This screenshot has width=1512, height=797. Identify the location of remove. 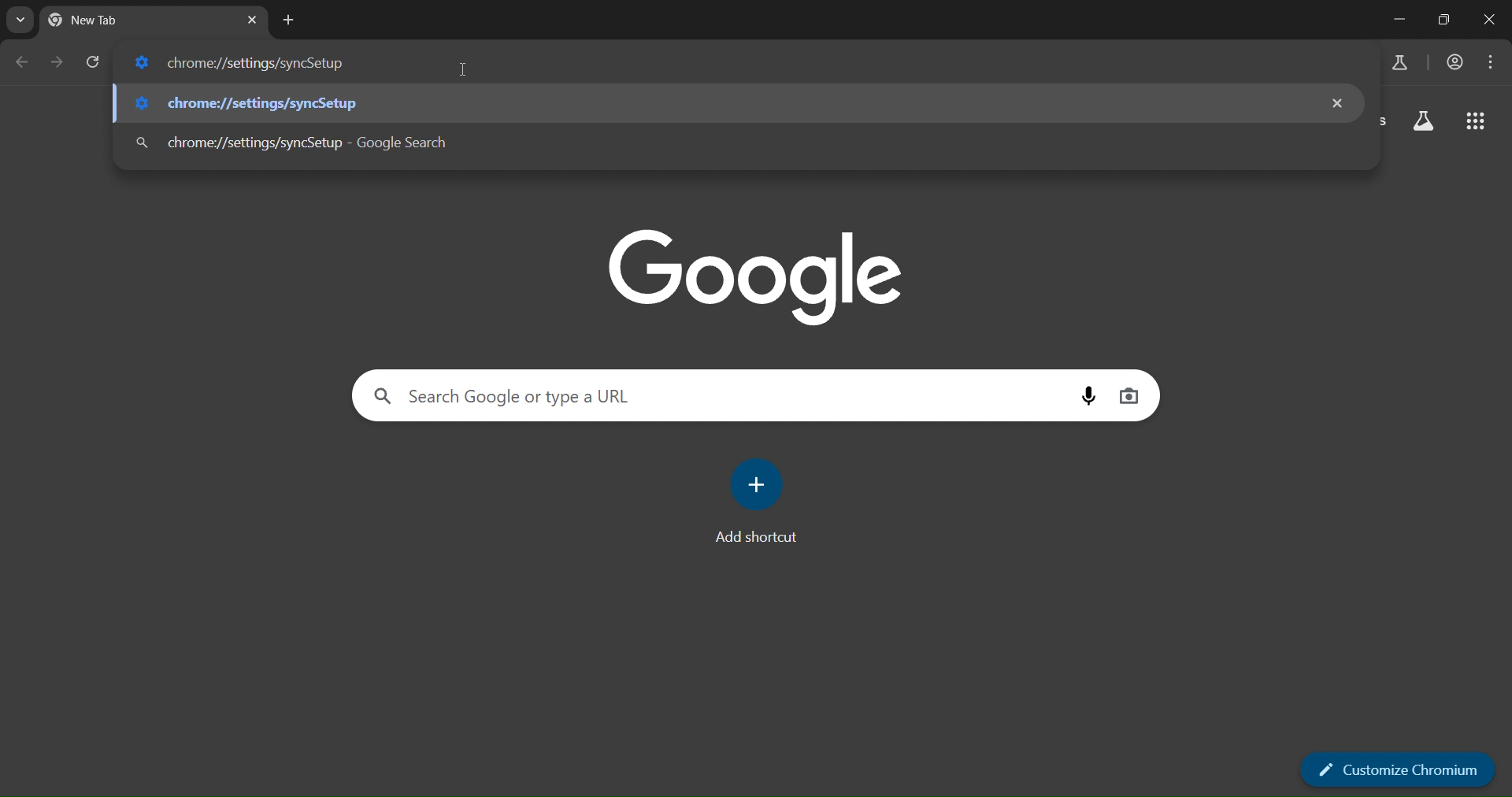
(1339, 102).